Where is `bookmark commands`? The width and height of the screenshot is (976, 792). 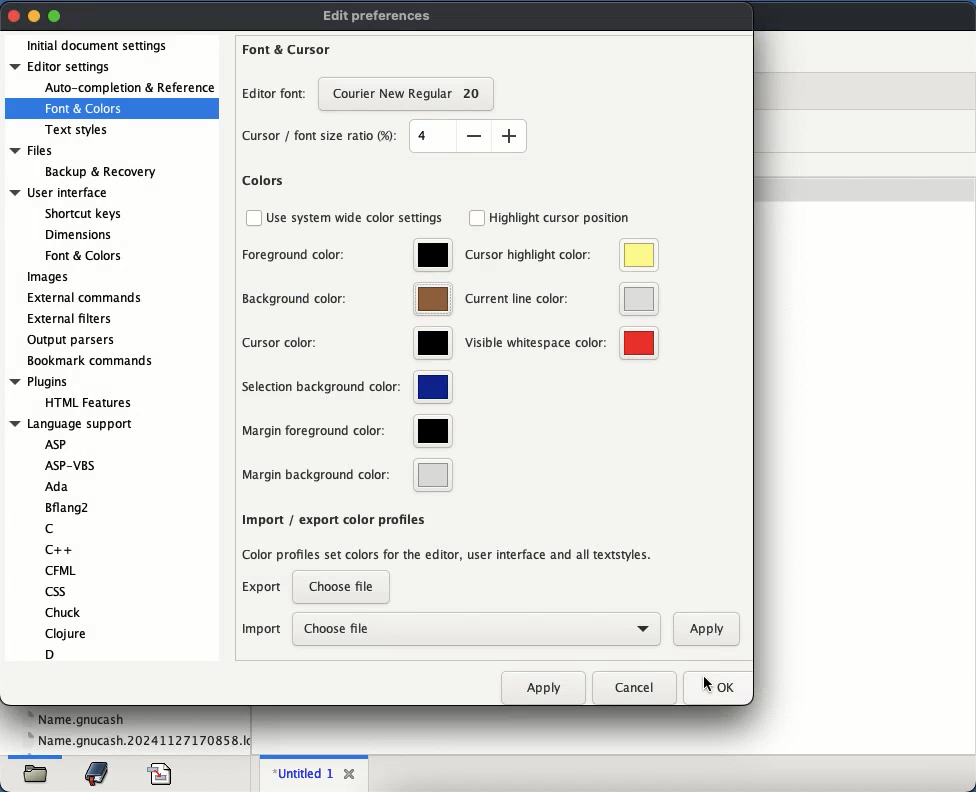 bookmark commands is located at coordinates (93, 361).